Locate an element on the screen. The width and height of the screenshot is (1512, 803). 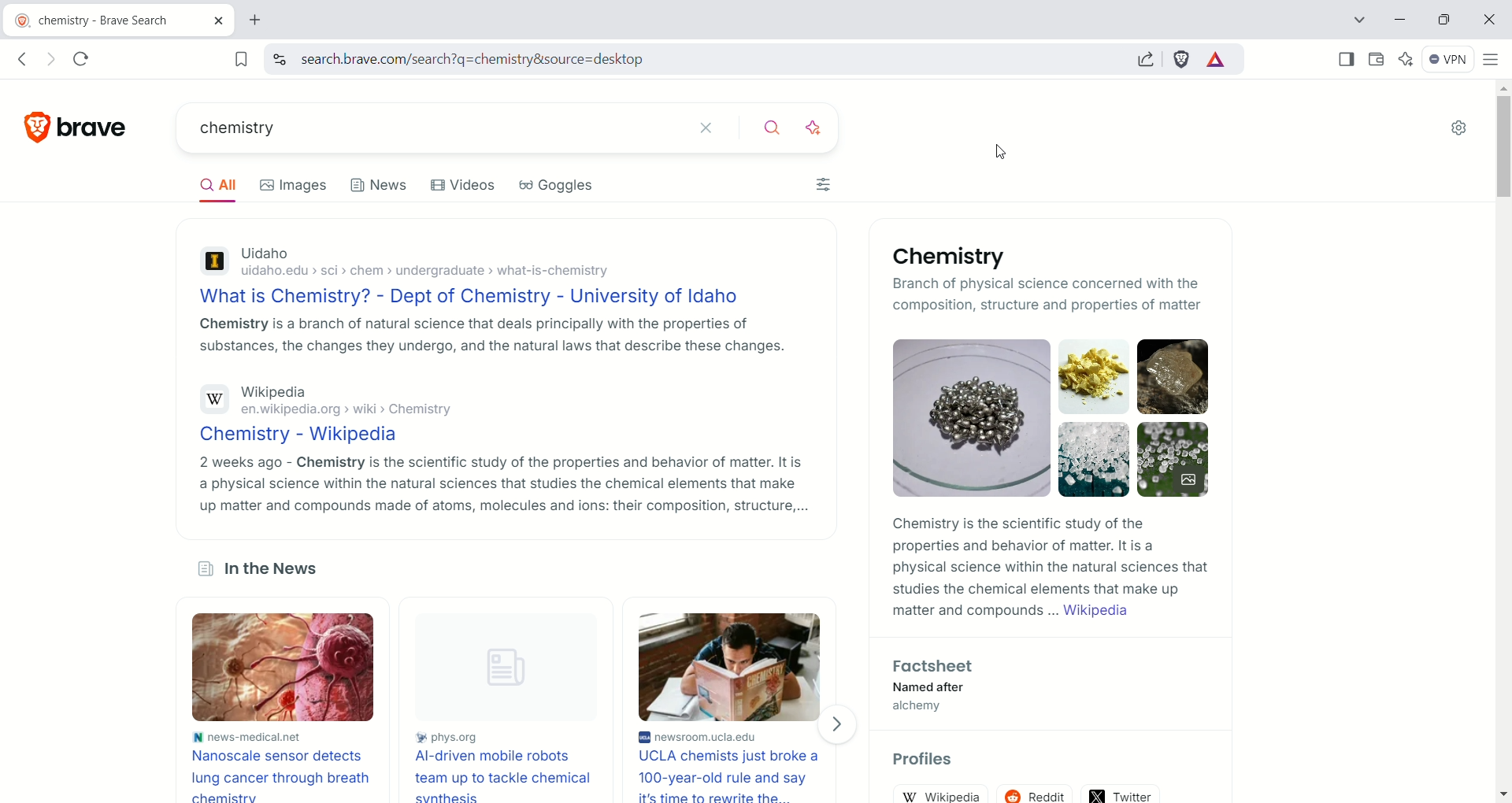
chemistry - brave search is located at coordinates (117, 18).